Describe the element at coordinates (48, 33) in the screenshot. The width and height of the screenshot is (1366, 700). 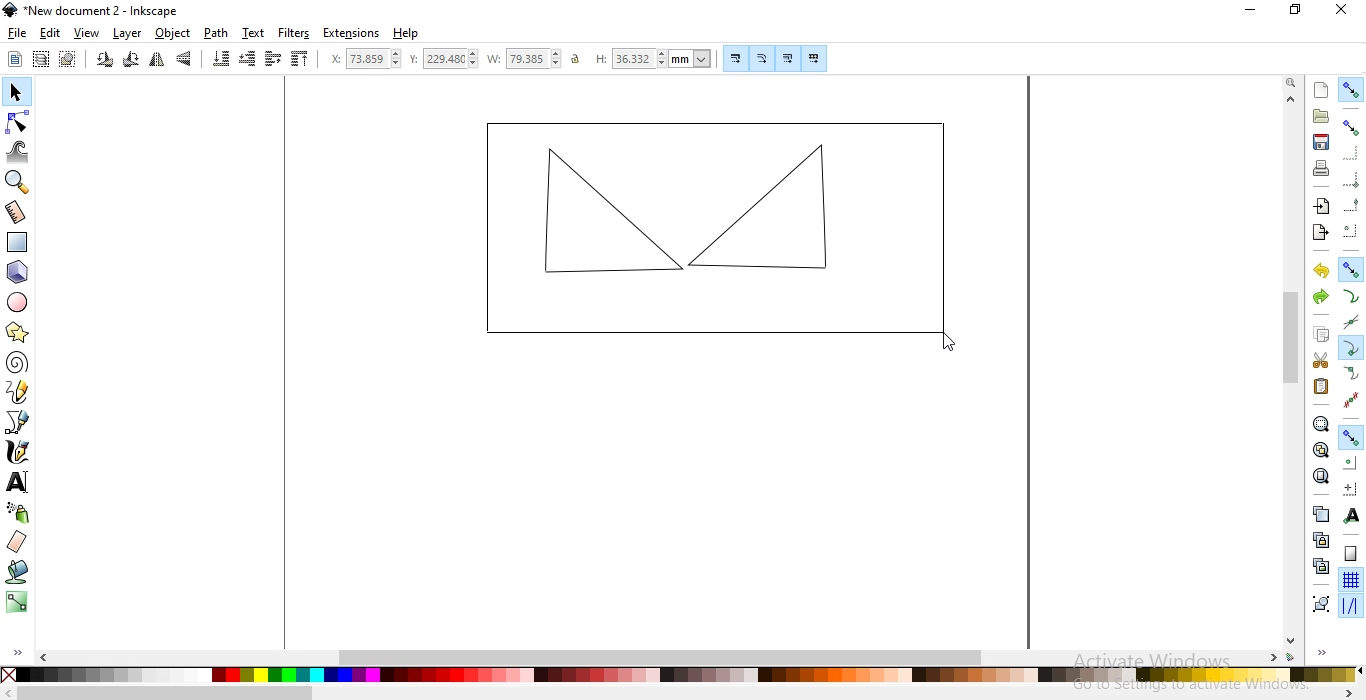
I see `edit` at that location.